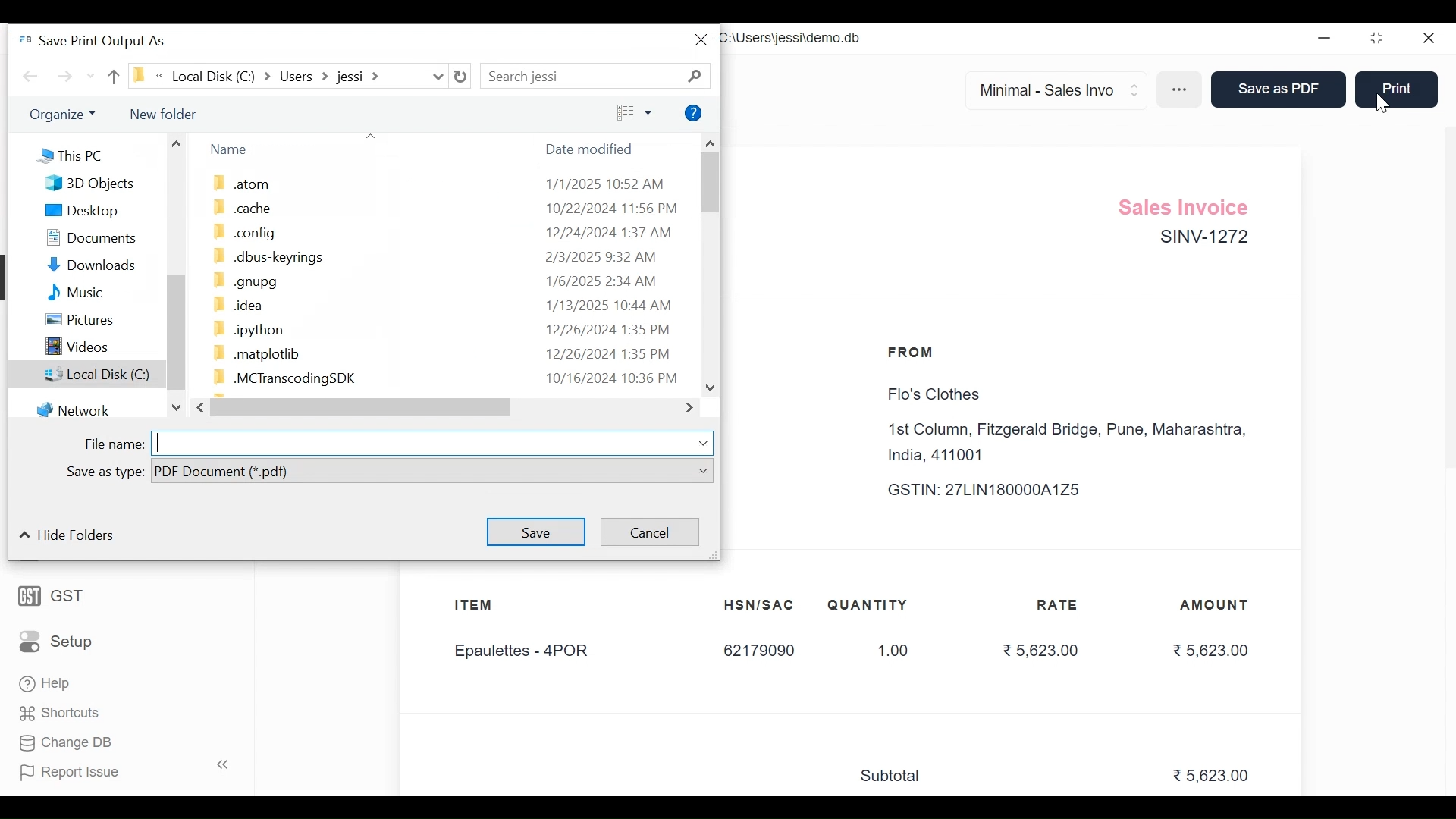 The width and height of the screenshot is (1456, 819). I want to click on config, so click(240, 231).